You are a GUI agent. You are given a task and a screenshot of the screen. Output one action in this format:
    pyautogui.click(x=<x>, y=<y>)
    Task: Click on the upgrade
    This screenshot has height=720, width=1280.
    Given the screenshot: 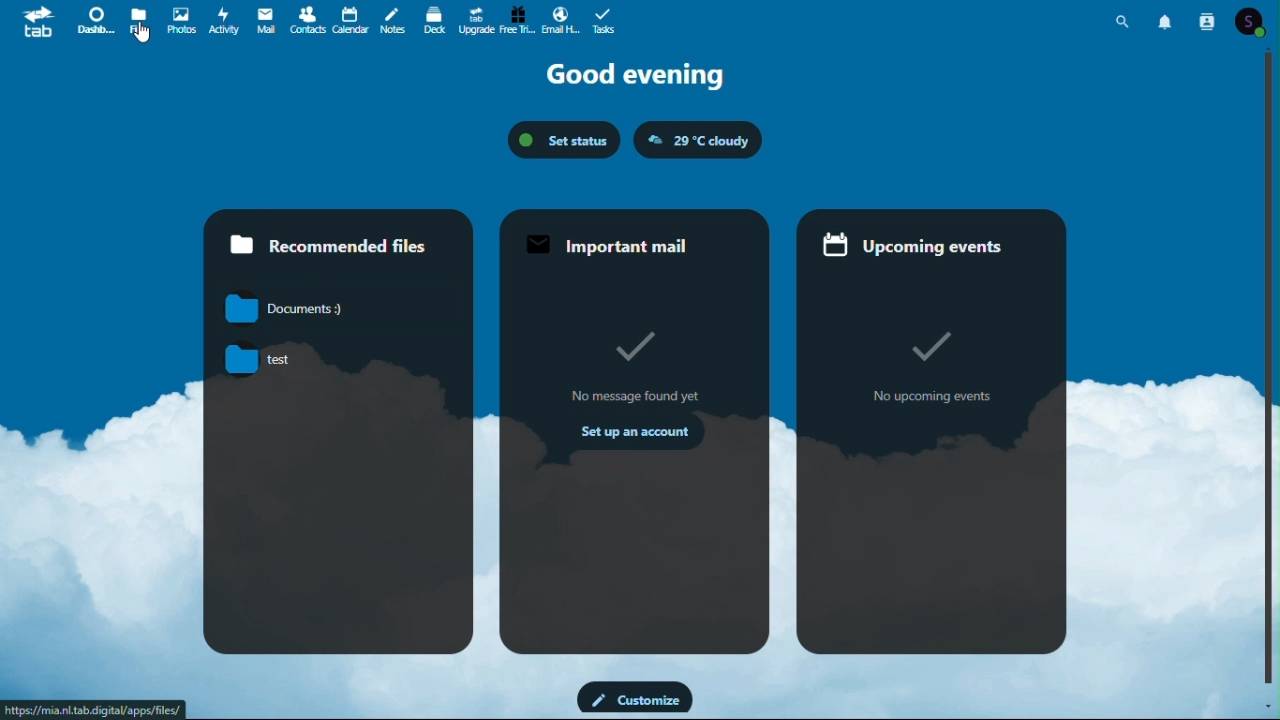 What is the action you would take?
    pyautogui.click(x=477, y=18)
    